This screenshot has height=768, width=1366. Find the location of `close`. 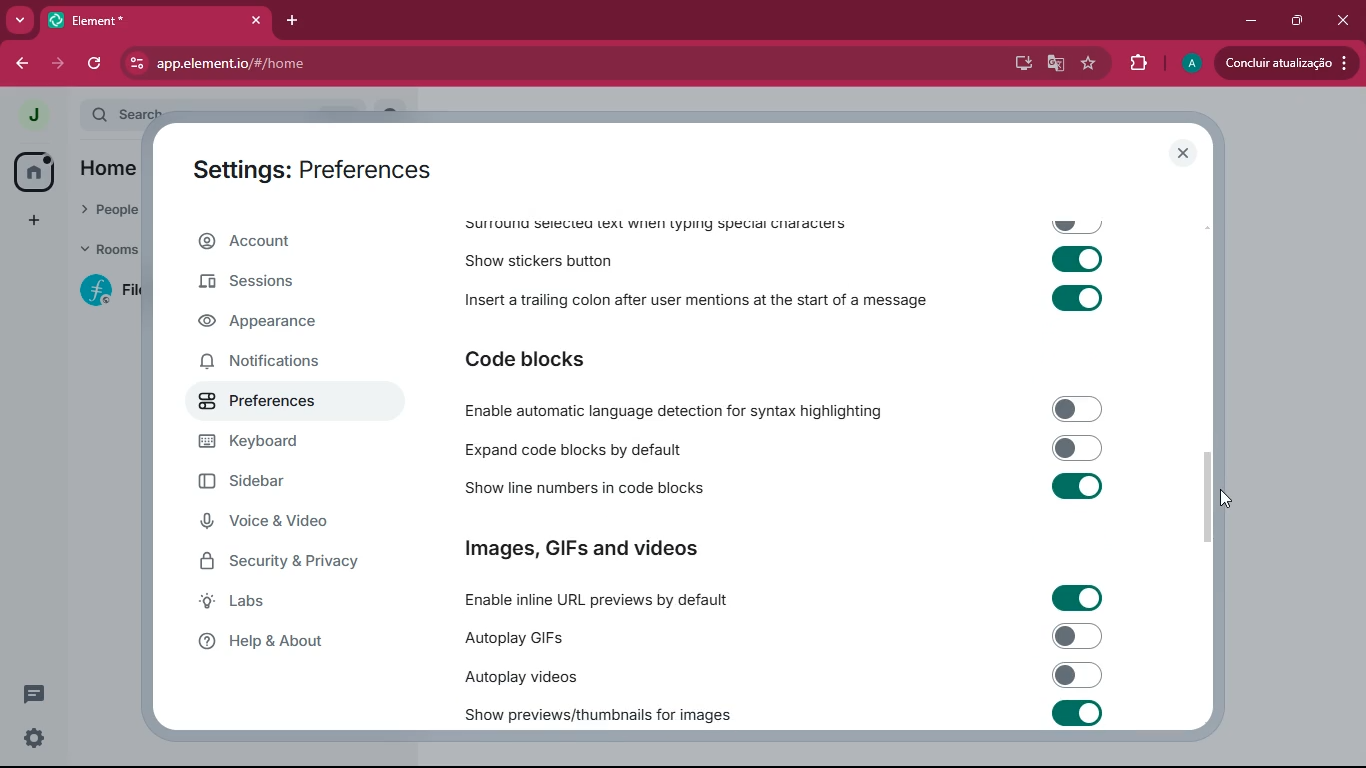

close is located at coordinates (1183, 153).